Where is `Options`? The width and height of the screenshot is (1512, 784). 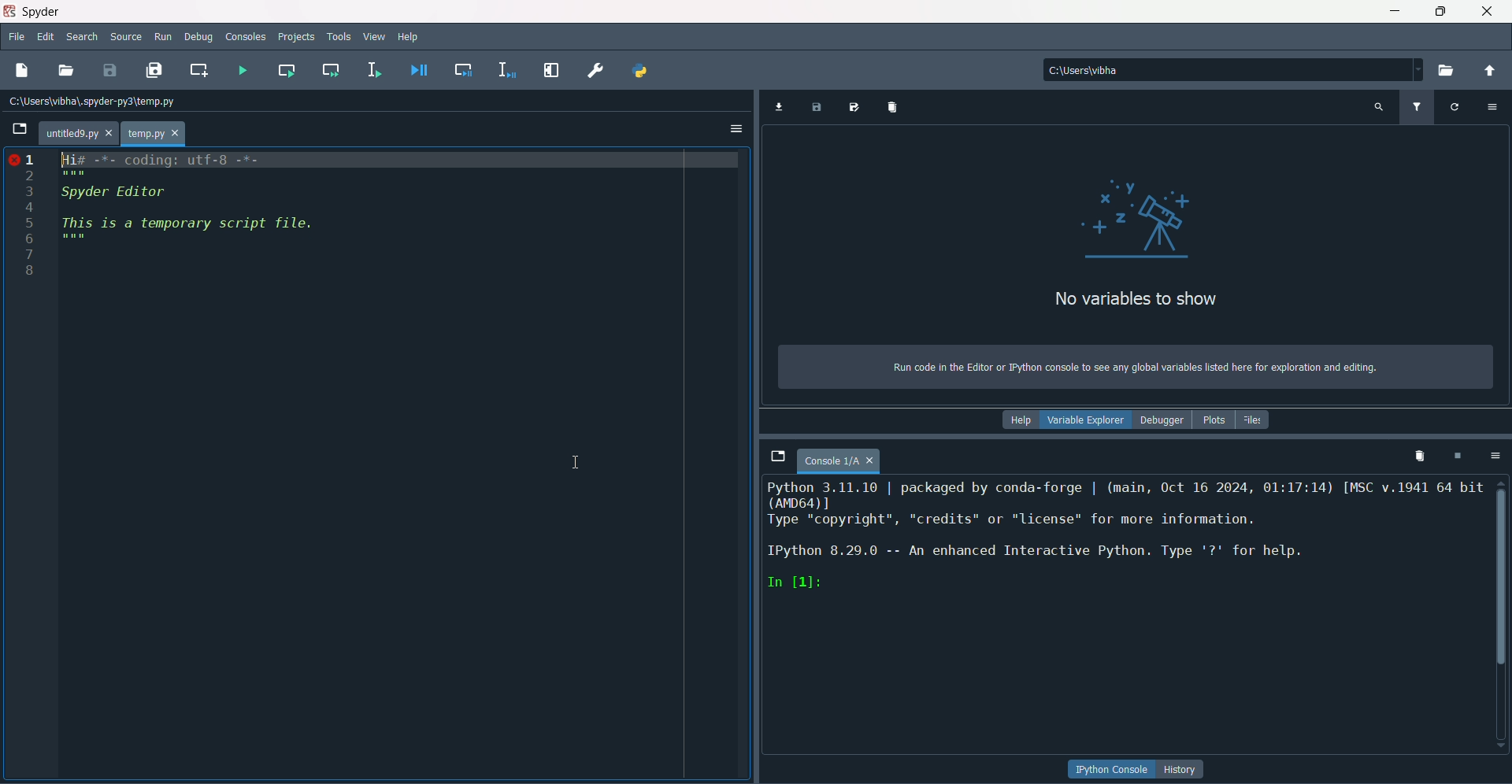
Options is located at coordinates (735, 131).